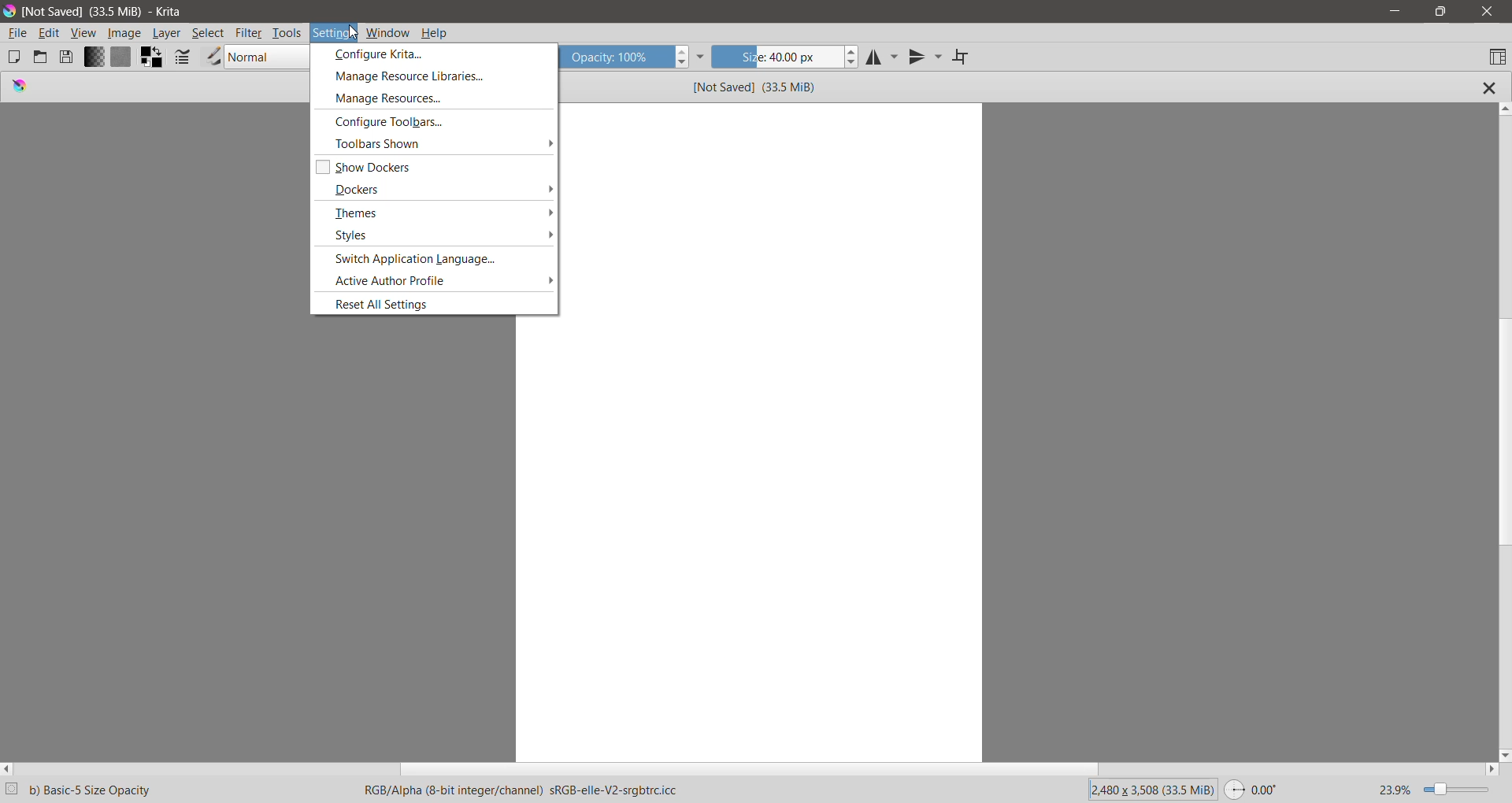 The image size is (1512, 803). Describe the element at coordinates (1496, 57) in the screenshot. I see `Choose workspace` at that location.